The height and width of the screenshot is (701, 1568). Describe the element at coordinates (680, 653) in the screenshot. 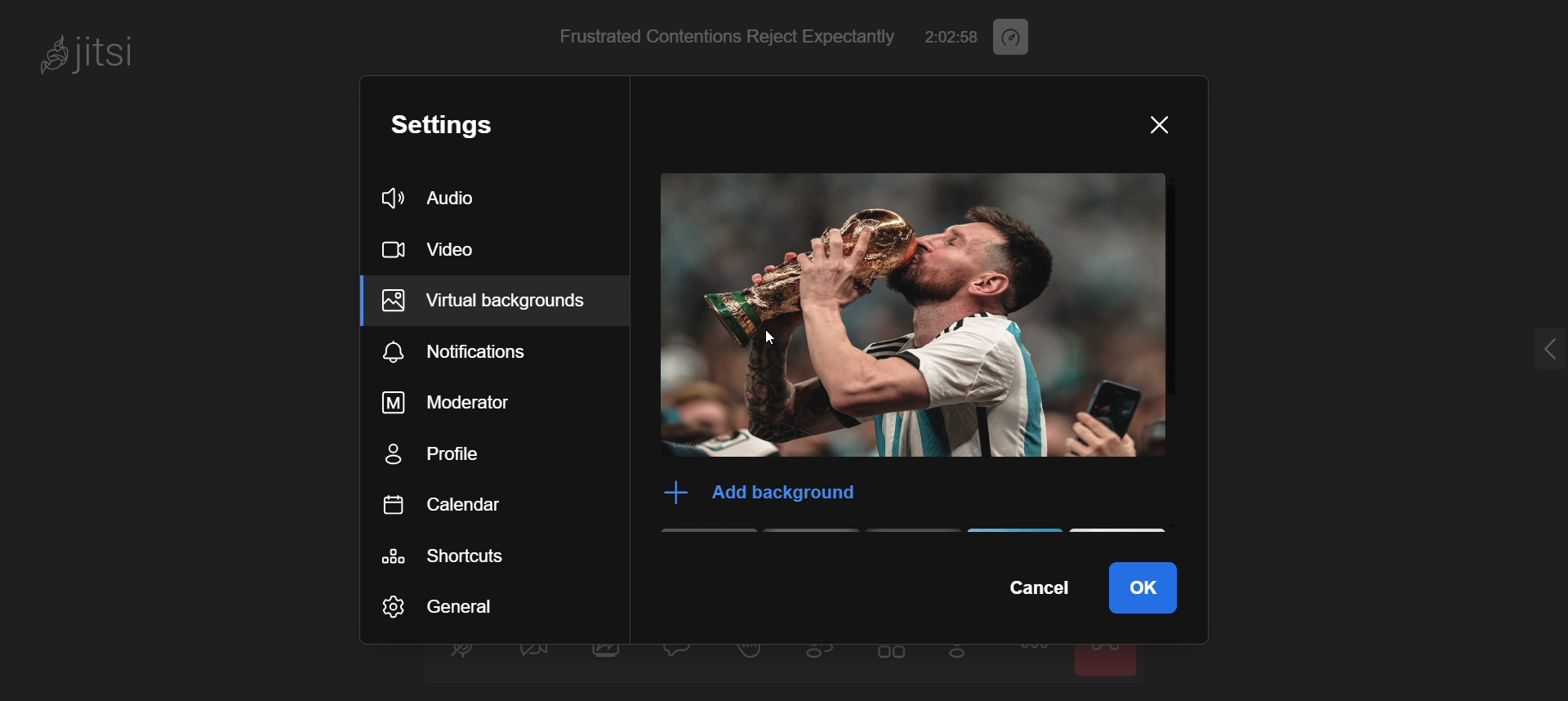

I see `chat` at that location.